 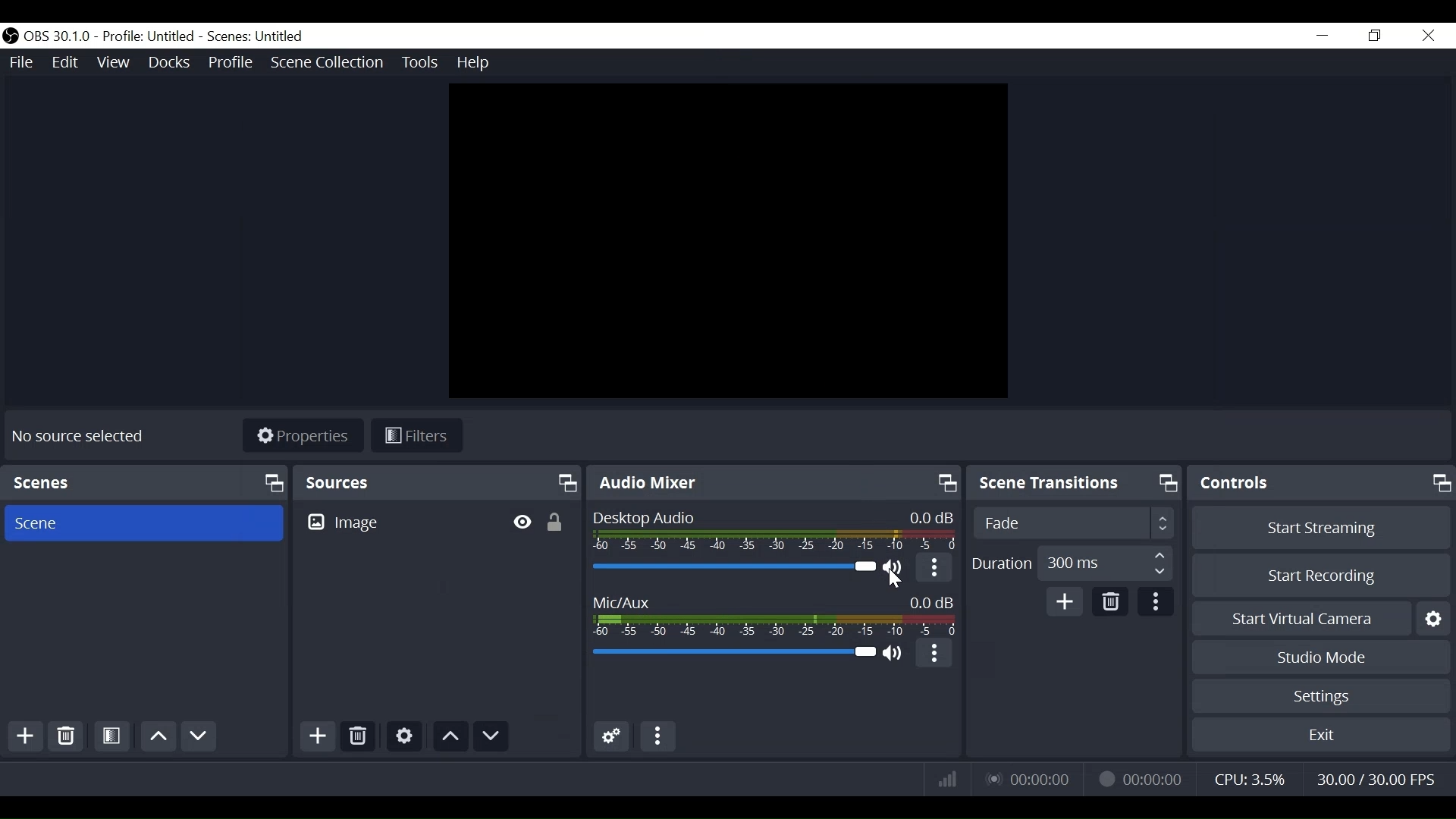 I want to click on Delete, so click(x=357, y=736).